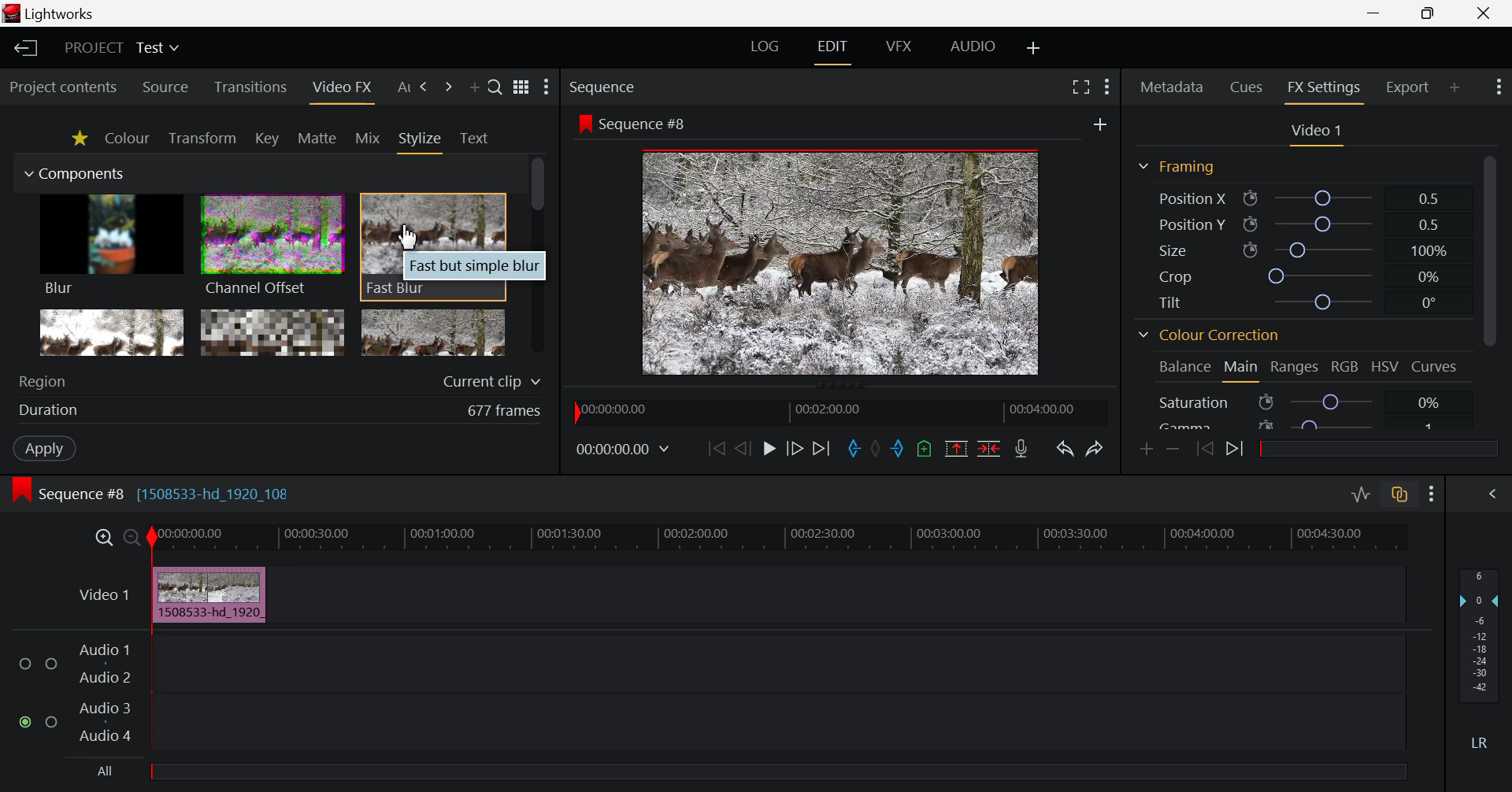 This screenshot has height=792, width=1512. What do you see at coordinates (835, 53) in the screenshot?
I see `EDIT Layout` at bounding box center [835, 53].